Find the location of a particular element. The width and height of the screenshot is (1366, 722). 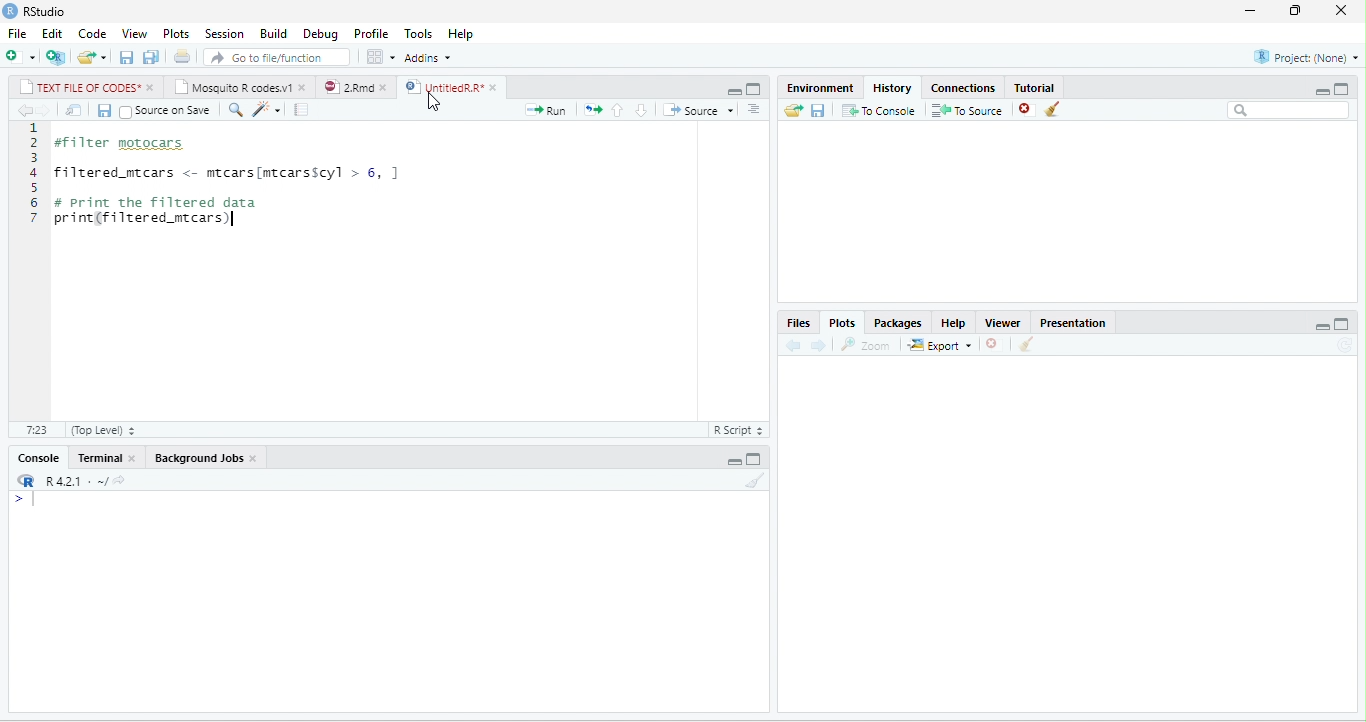

R 4.2.1 ~/ is located at coordinates (73, 481).